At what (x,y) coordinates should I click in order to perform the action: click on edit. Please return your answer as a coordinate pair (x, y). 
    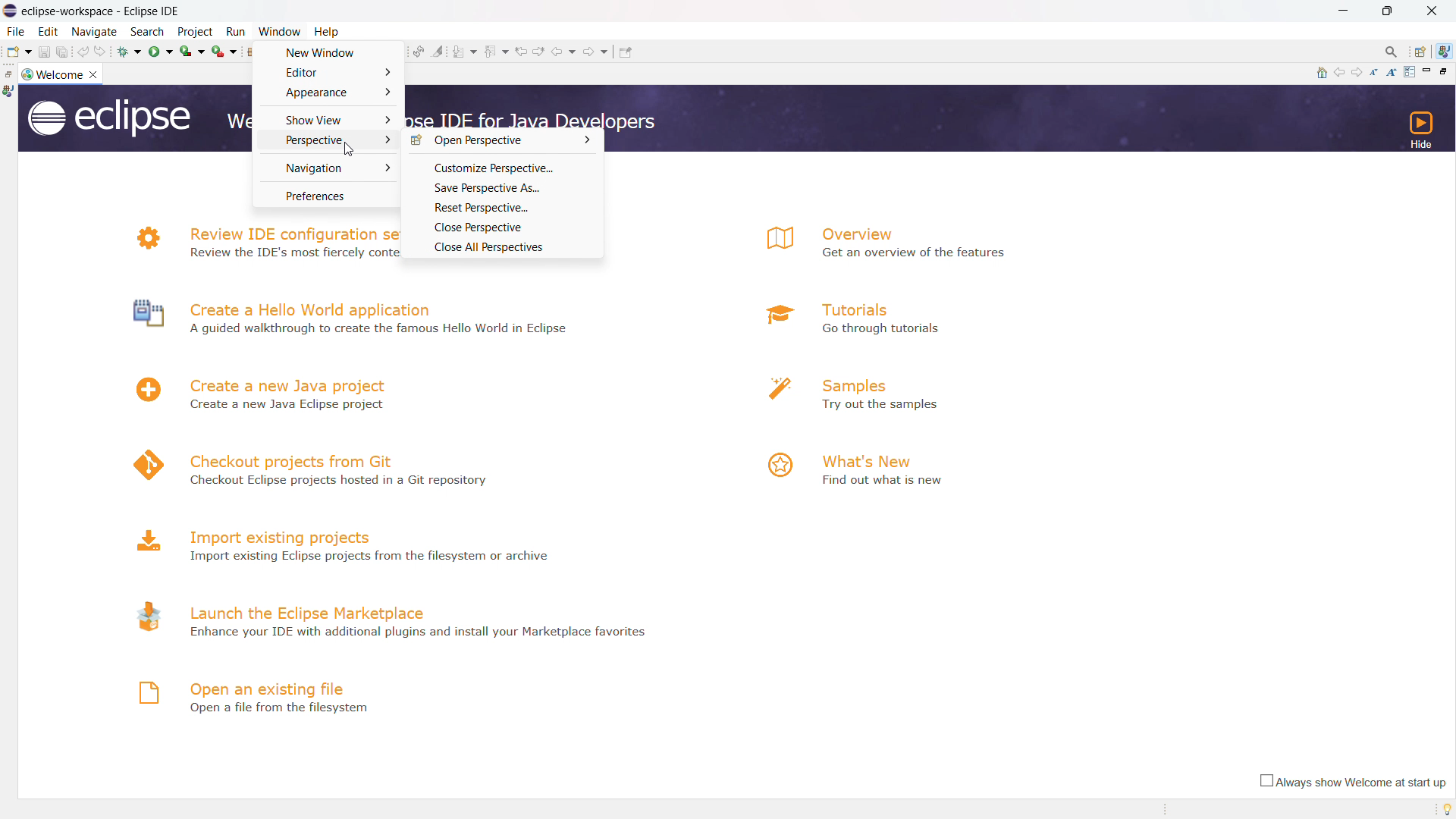
    Looking at the image, I should click on (48, 31).